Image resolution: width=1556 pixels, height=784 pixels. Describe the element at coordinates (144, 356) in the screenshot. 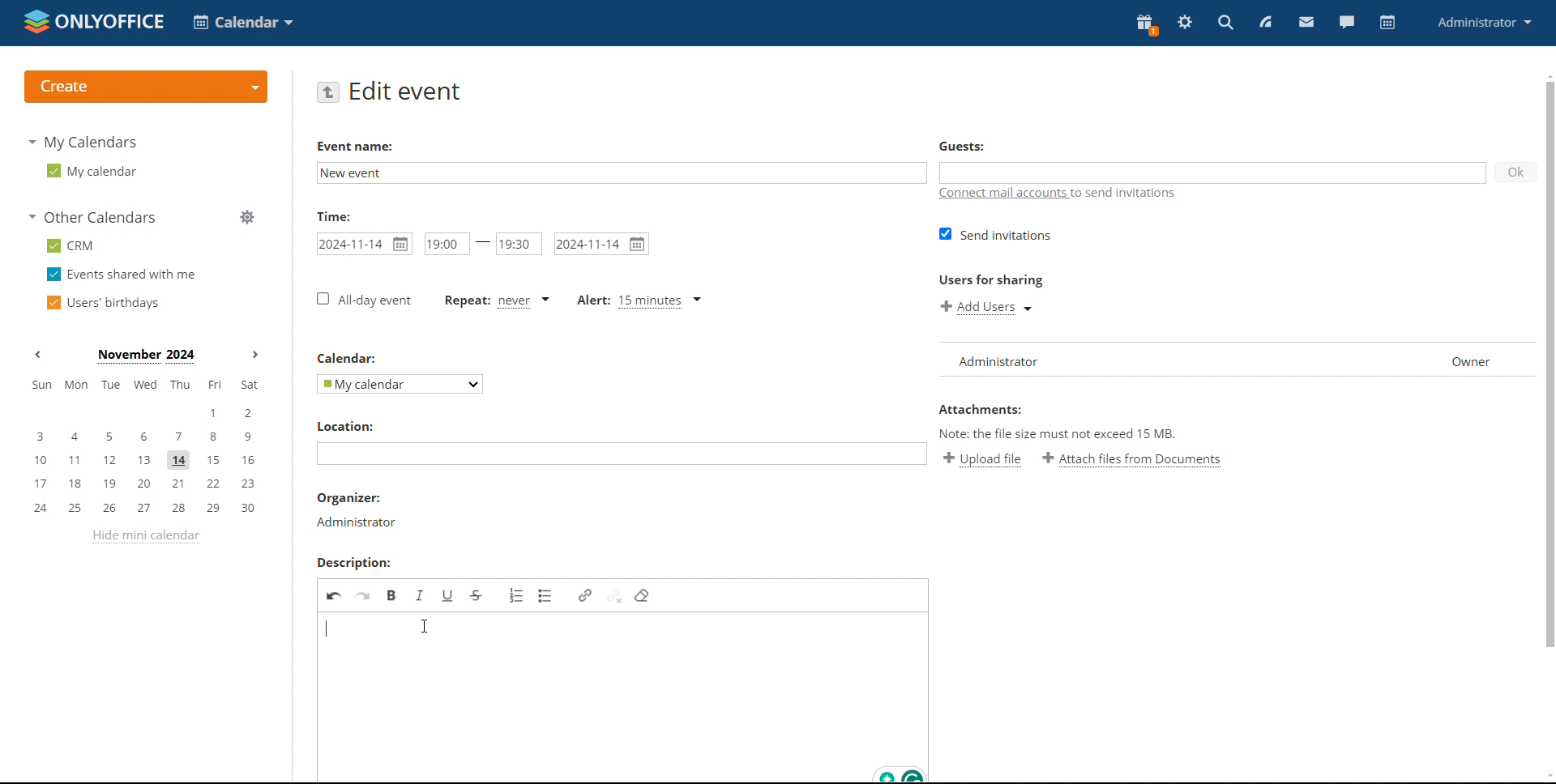

I see `current month` at that location.